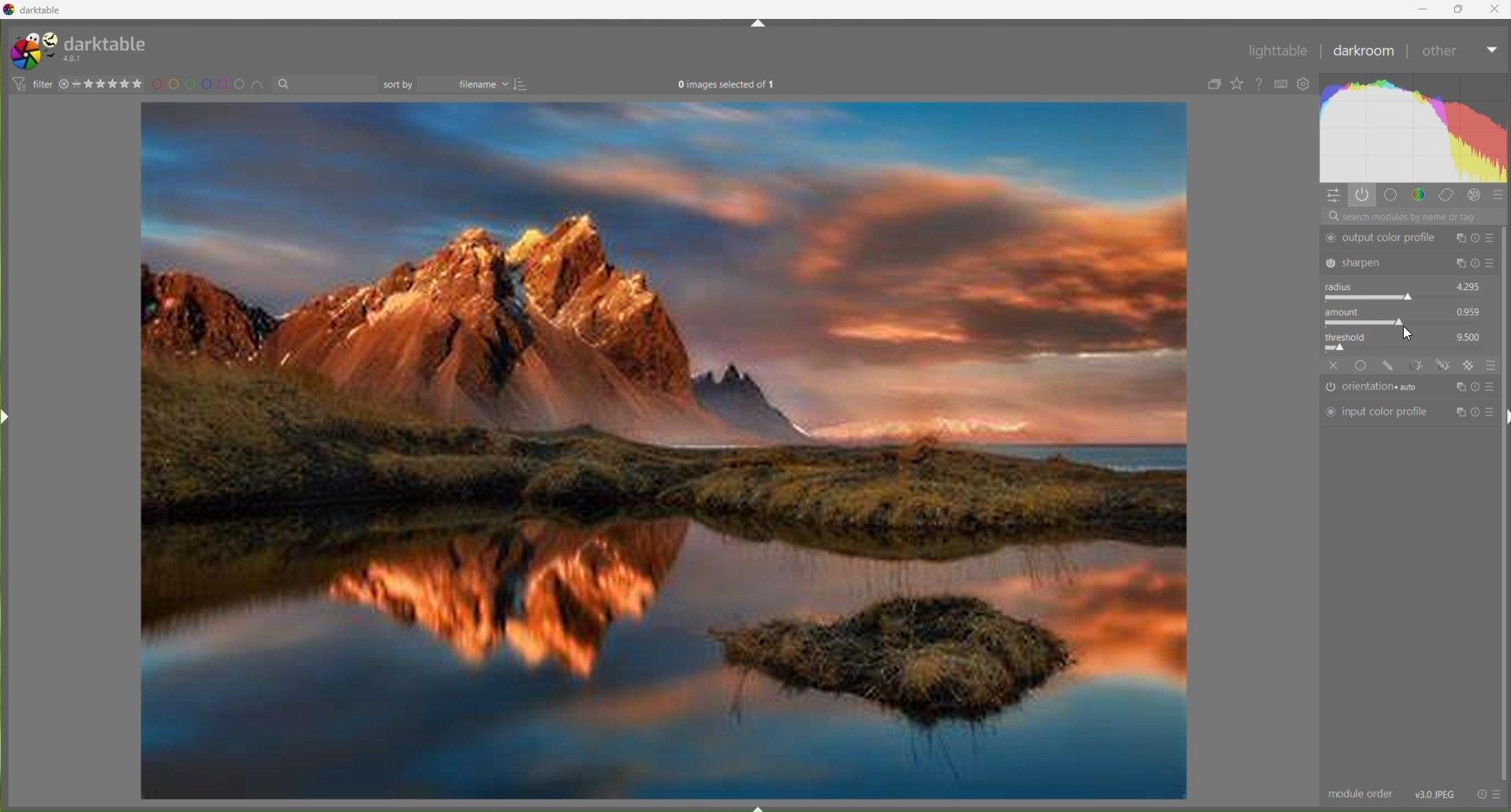  I want to click on close, so click(1334, 365).